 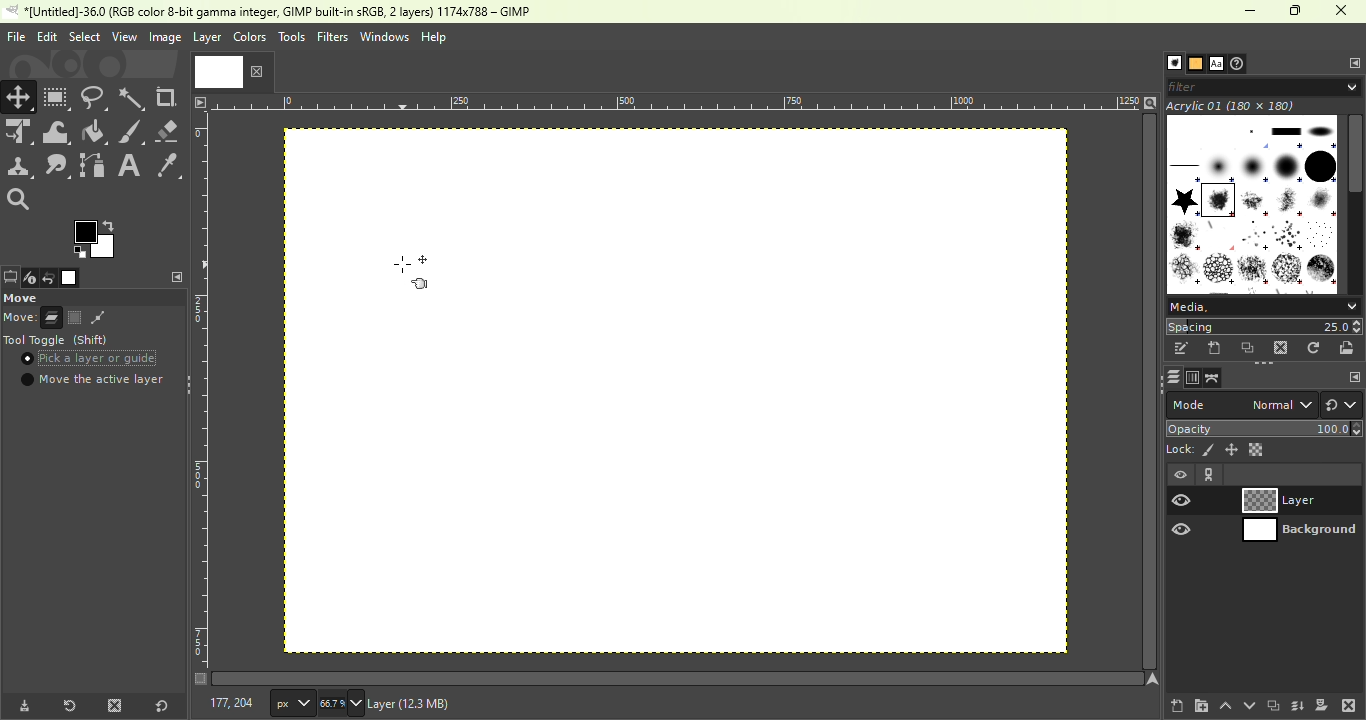 I want to click on Vertical scrollbar, so click(x=678, y=678).